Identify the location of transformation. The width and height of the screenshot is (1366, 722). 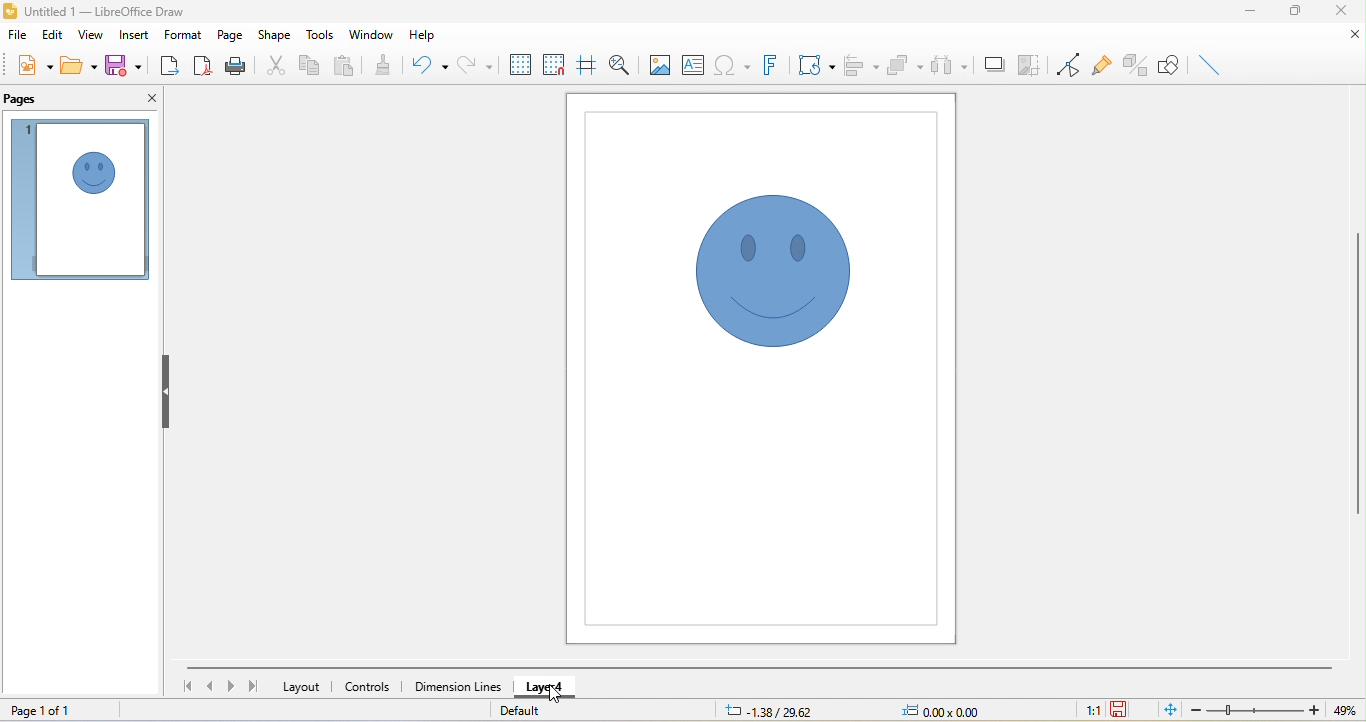
(817, 64).